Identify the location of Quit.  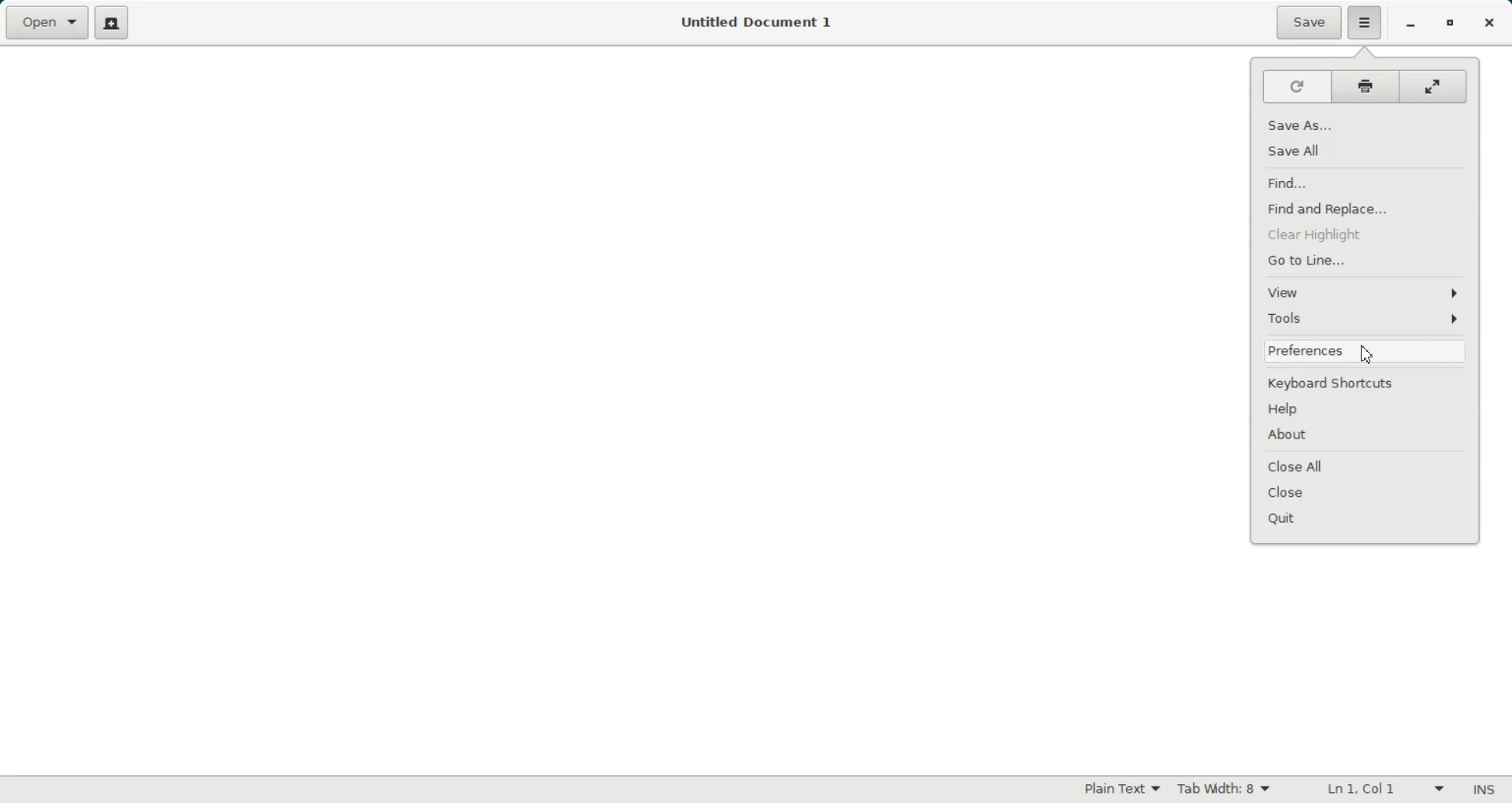
(1366, 517).